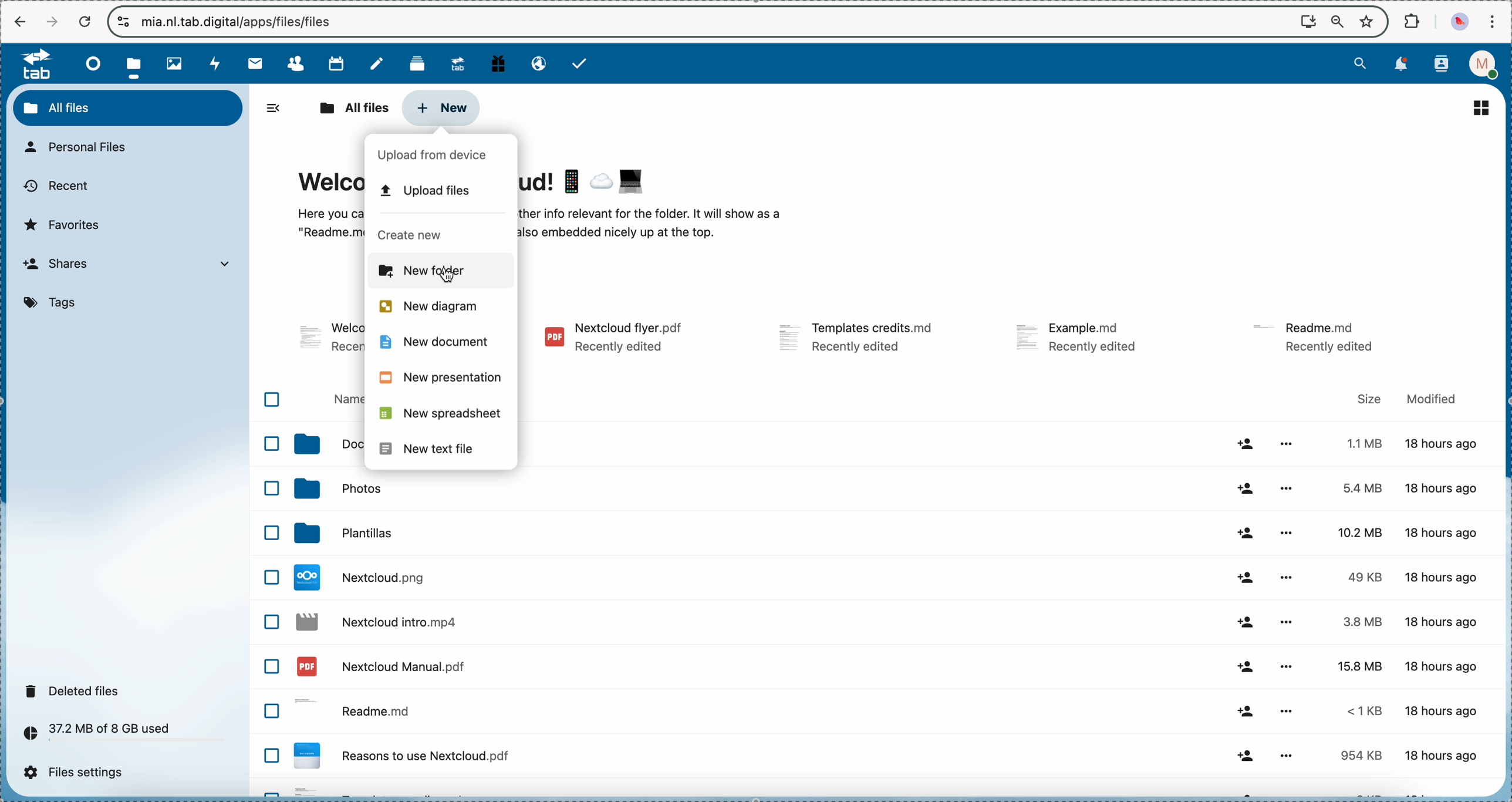  Describe the element at coordinates (137, 63) in the screenshot. I see `click on files` at that location.